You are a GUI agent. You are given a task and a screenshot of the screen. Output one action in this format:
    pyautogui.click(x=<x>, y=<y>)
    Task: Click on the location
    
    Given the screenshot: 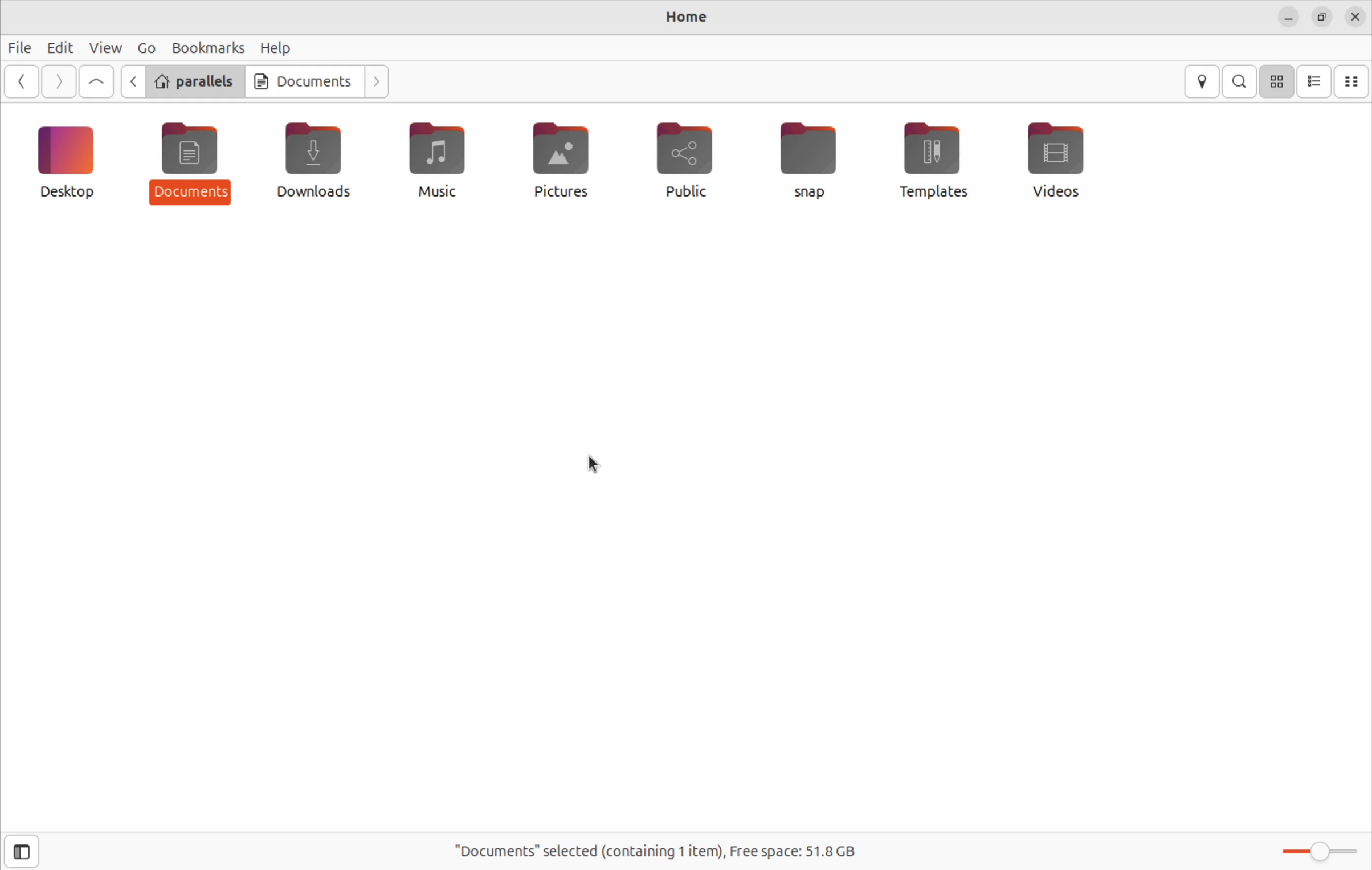 What is the action you would take?
    pyautogui.click(x=1203, y=82)
    